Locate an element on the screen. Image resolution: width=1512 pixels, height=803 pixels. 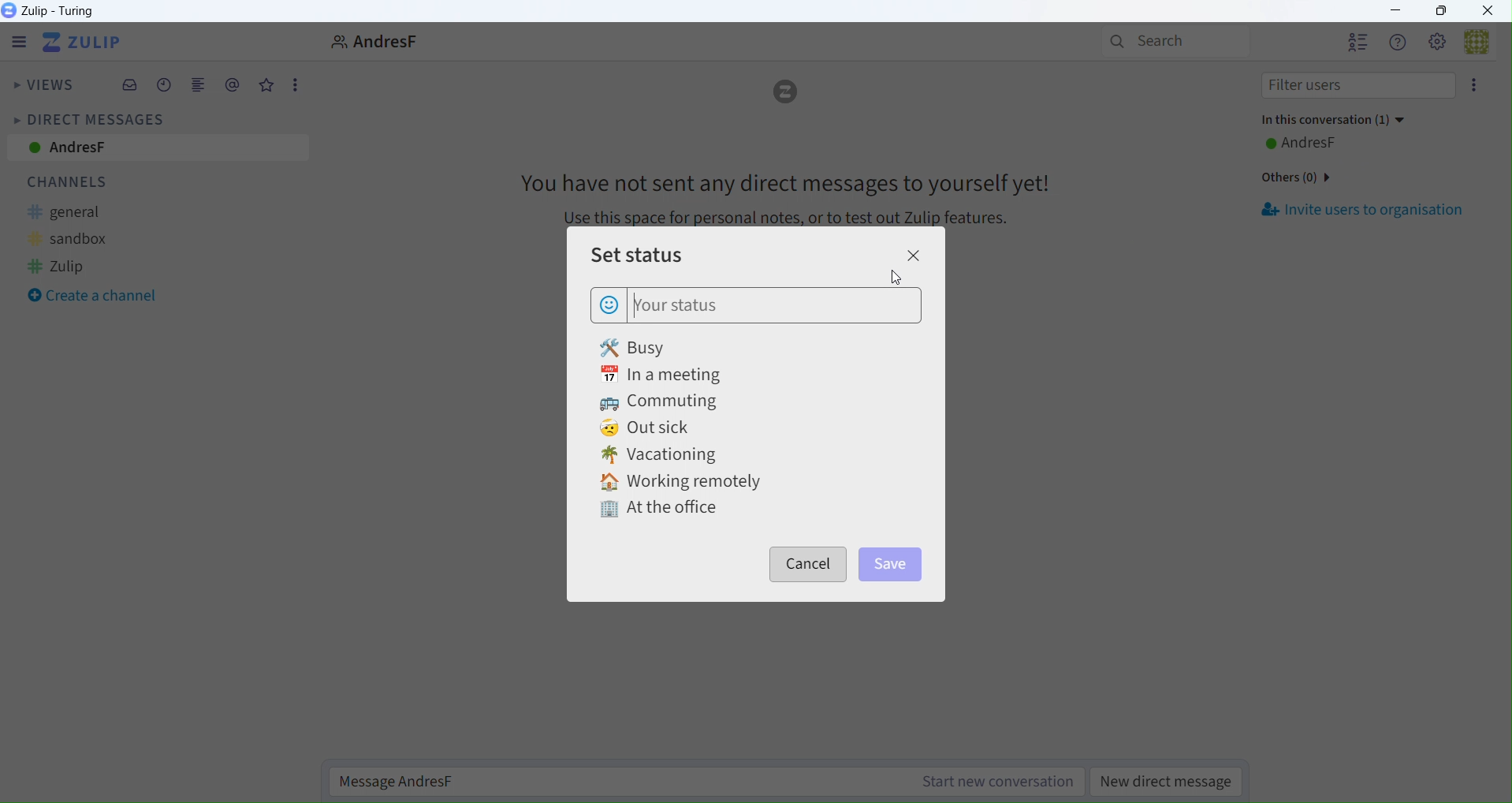
Menu is located at coordinates (15, 42).